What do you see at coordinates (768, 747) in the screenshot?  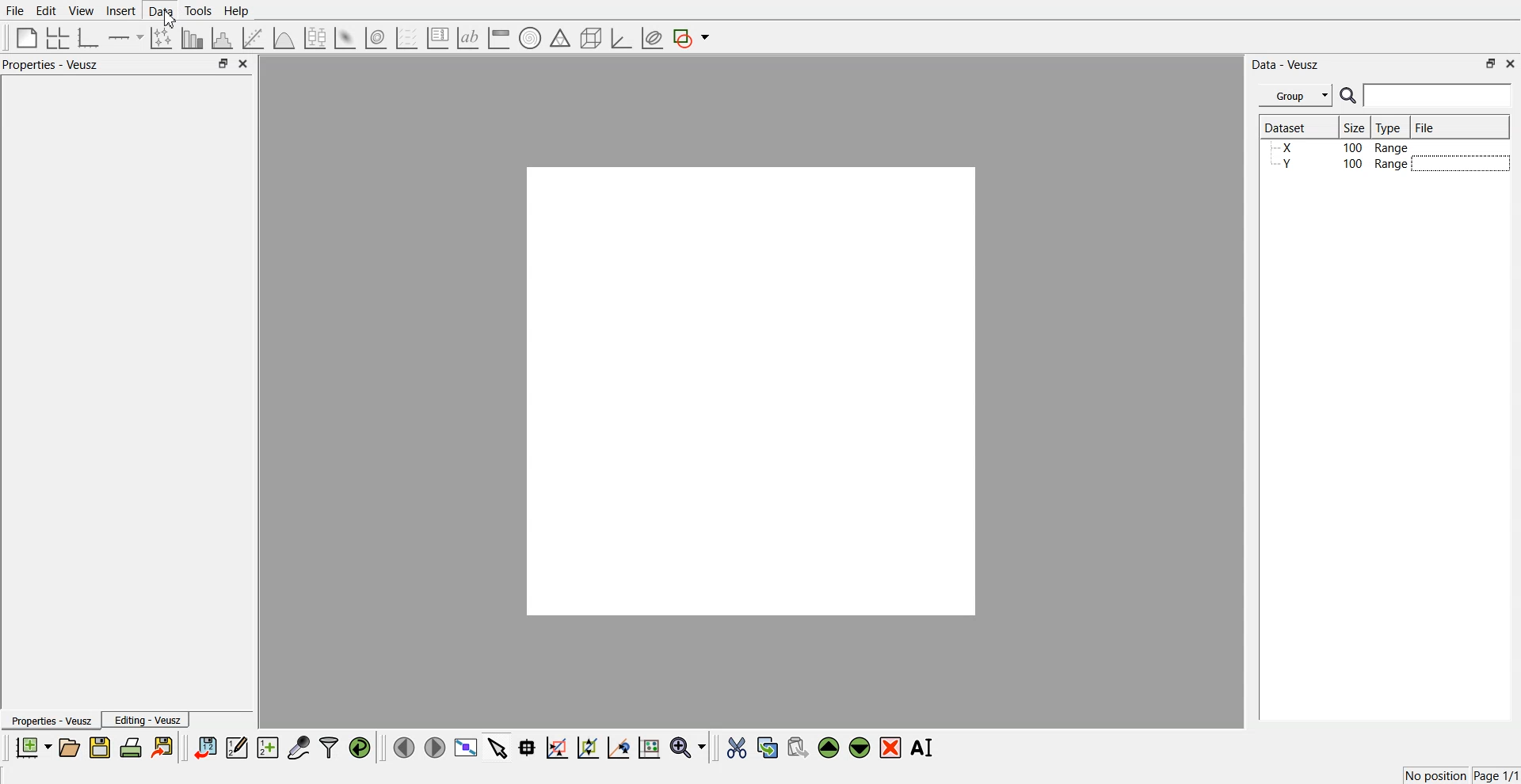 I see `Copy the selected widget` at bounding box center [768, 747].